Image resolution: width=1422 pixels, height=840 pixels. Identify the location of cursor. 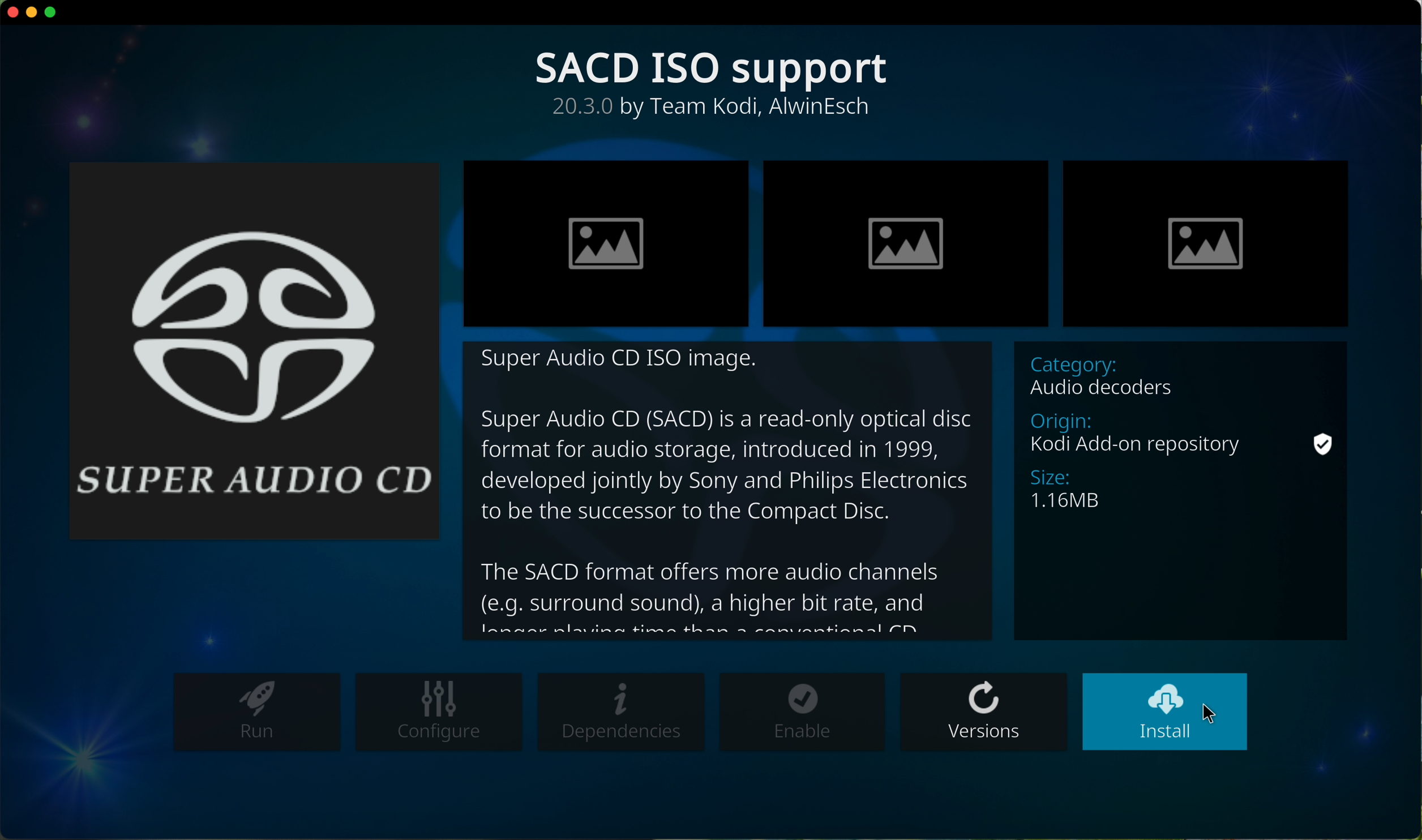
(1214, 708).